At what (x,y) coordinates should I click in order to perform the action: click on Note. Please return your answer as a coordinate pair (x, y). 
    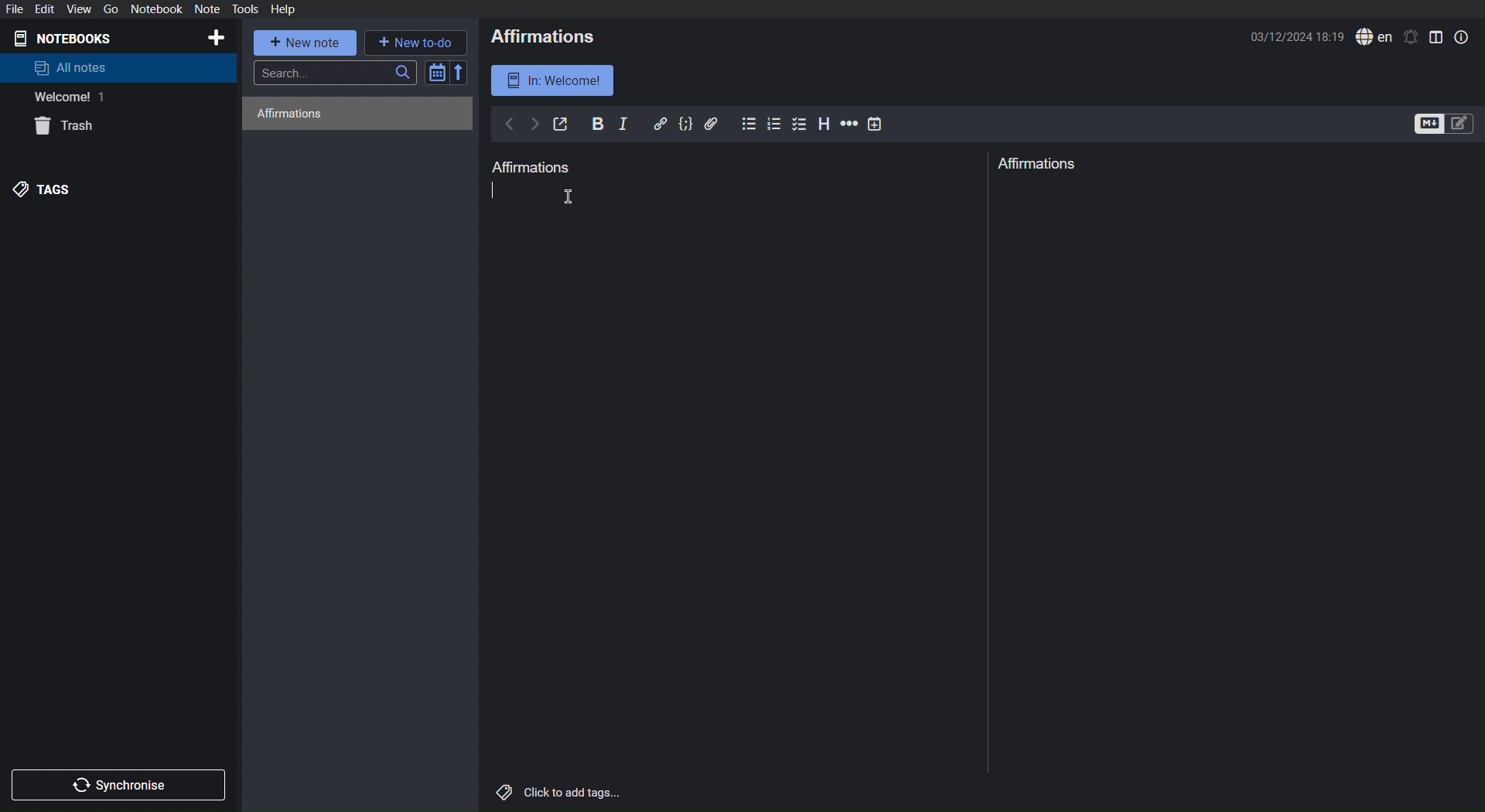
    Looking at the image, I should click on (207, 9).